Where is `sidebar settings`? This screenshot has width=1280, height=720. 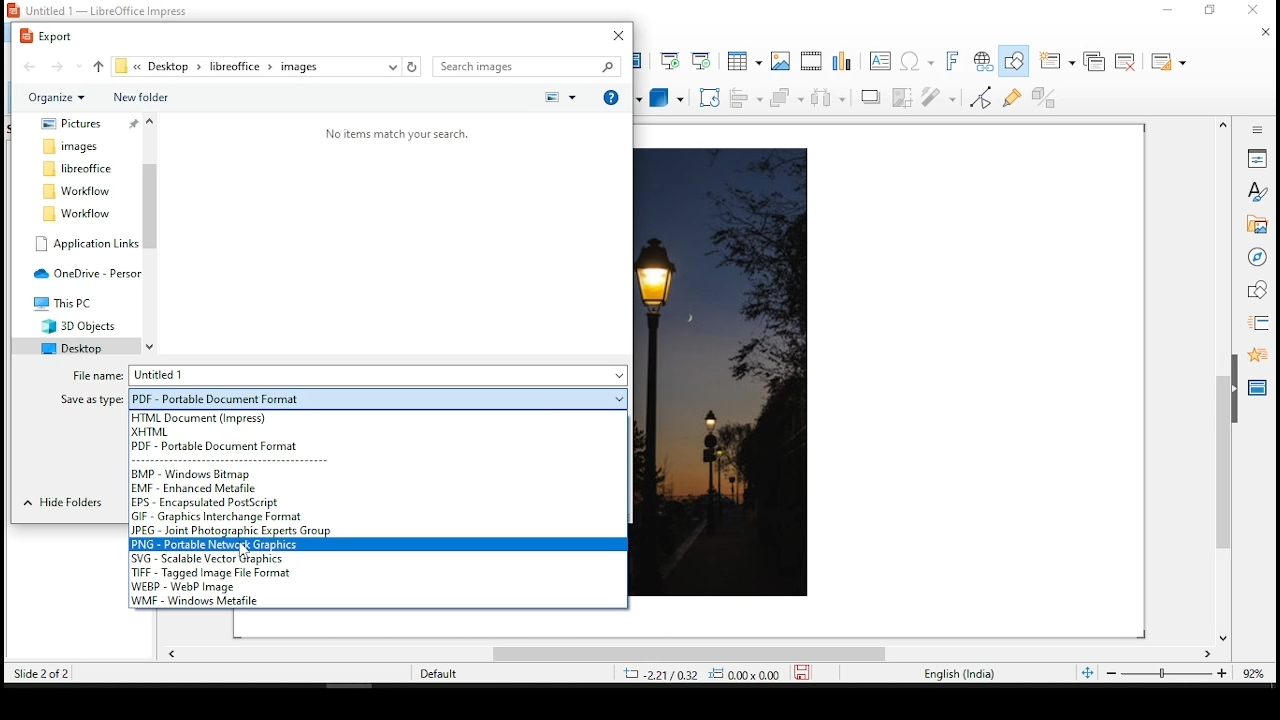
sidebar settings is located at coordinates (1253, 130).